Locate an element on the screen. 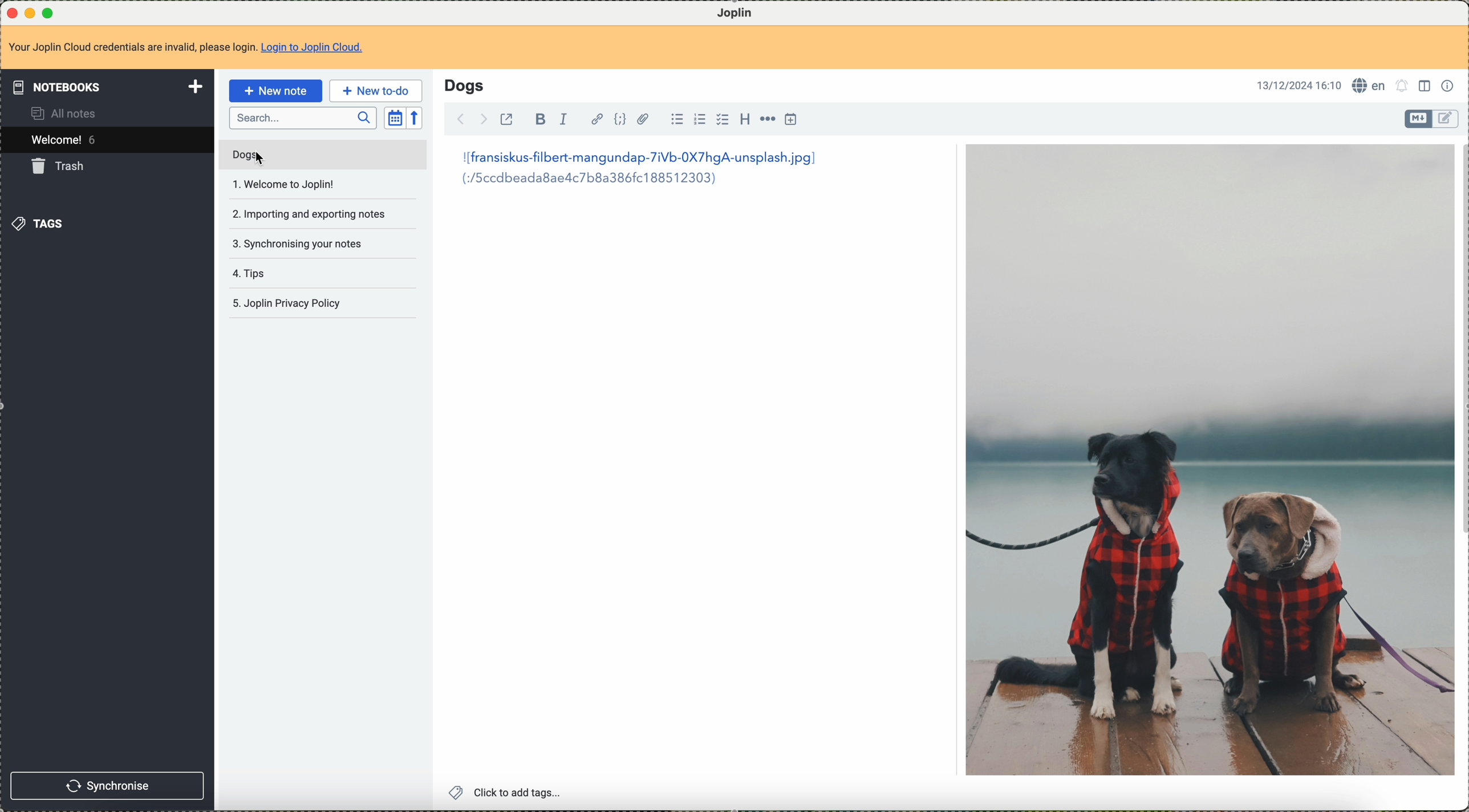  mouse down on dogs note is located at coordinates (323, 155).